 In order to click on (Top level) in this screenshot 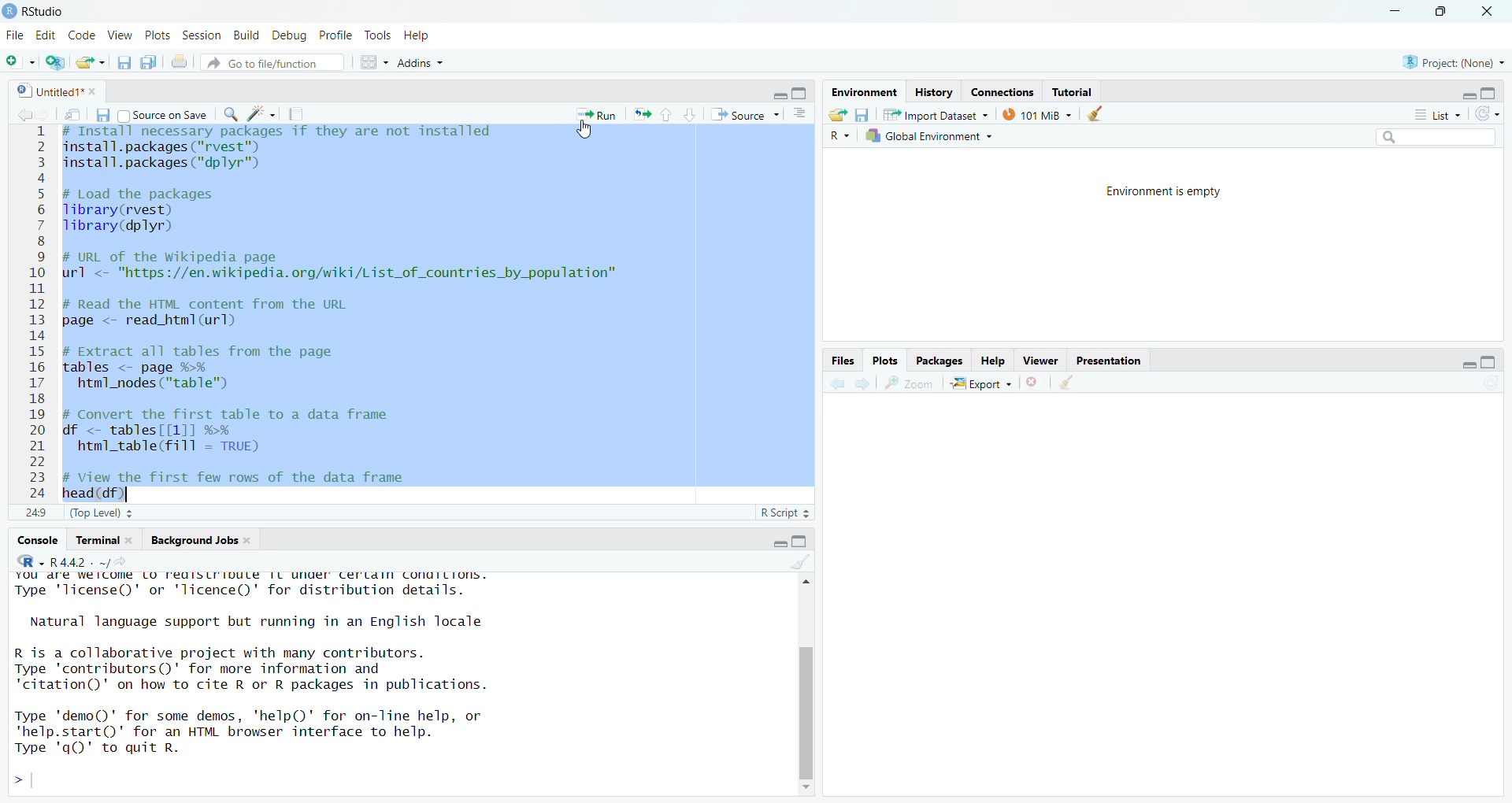, I will do `click(102, 513)`.